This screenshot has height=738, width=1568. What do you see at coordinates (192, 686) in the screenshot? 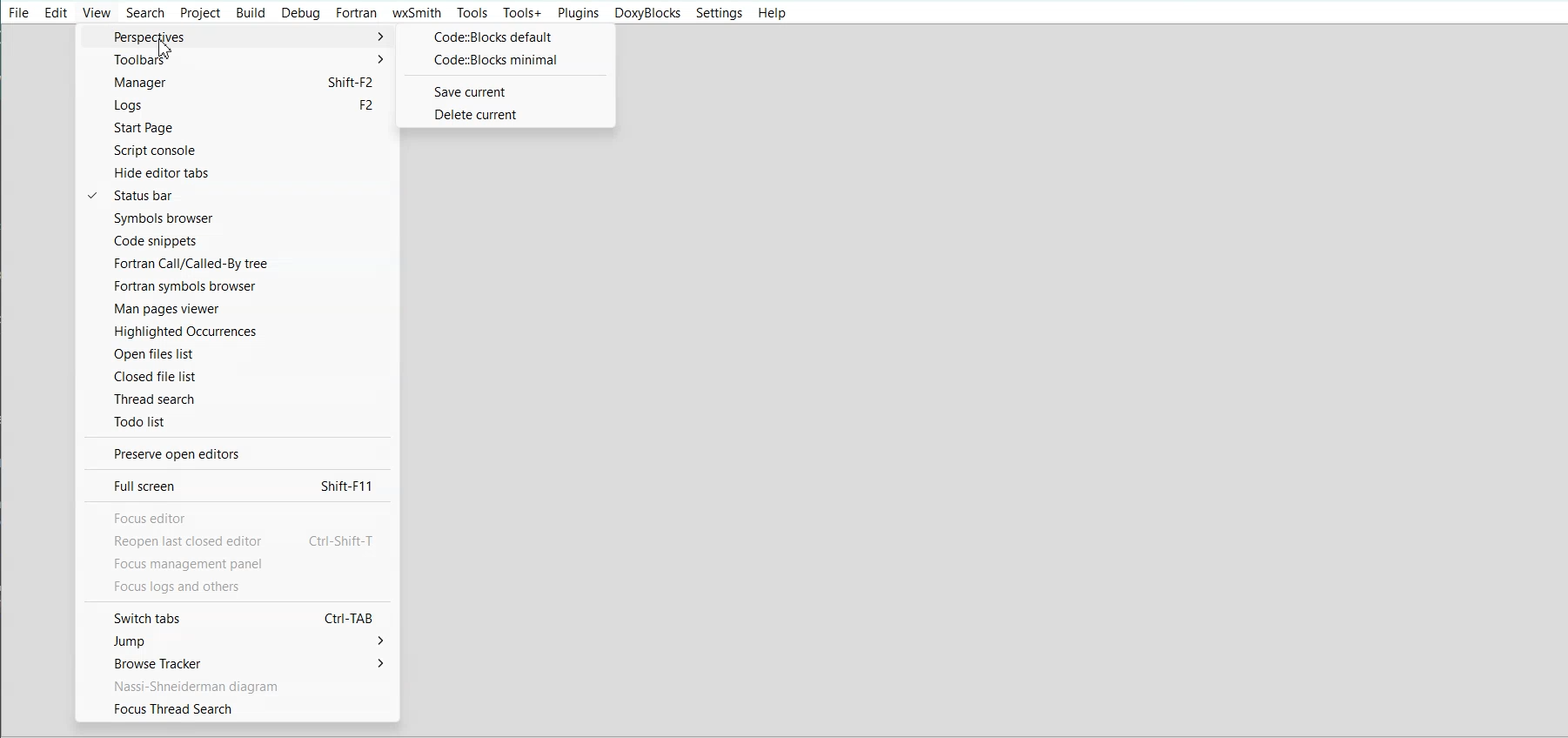
I see `Text` at bounding box center [192, 686].